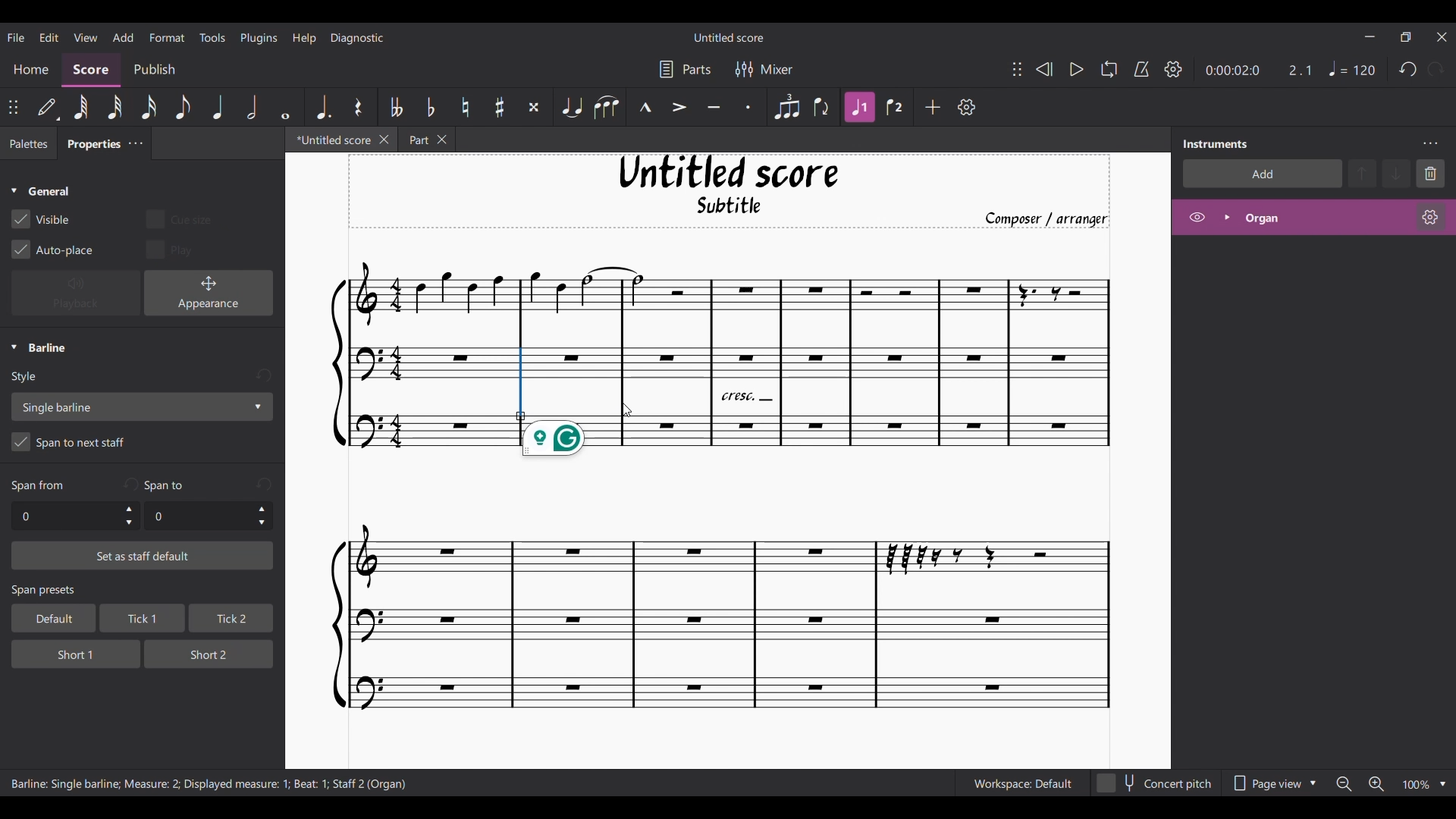  Describe the element at coordinates (85, 36) in the screenshot. I see `View menu` at that location.